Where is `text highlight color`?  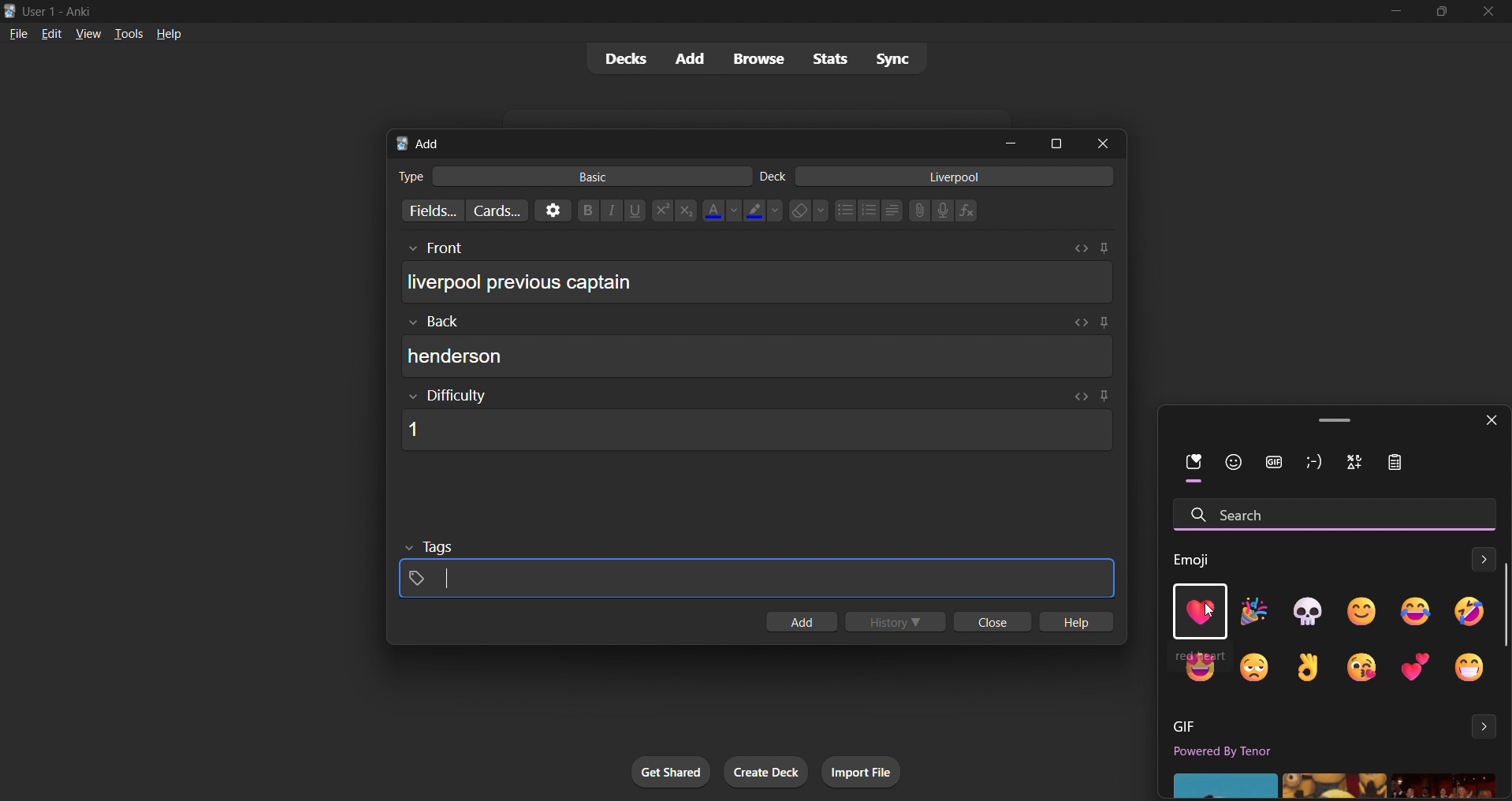
text highlight color is located at coordinates (763, 210).